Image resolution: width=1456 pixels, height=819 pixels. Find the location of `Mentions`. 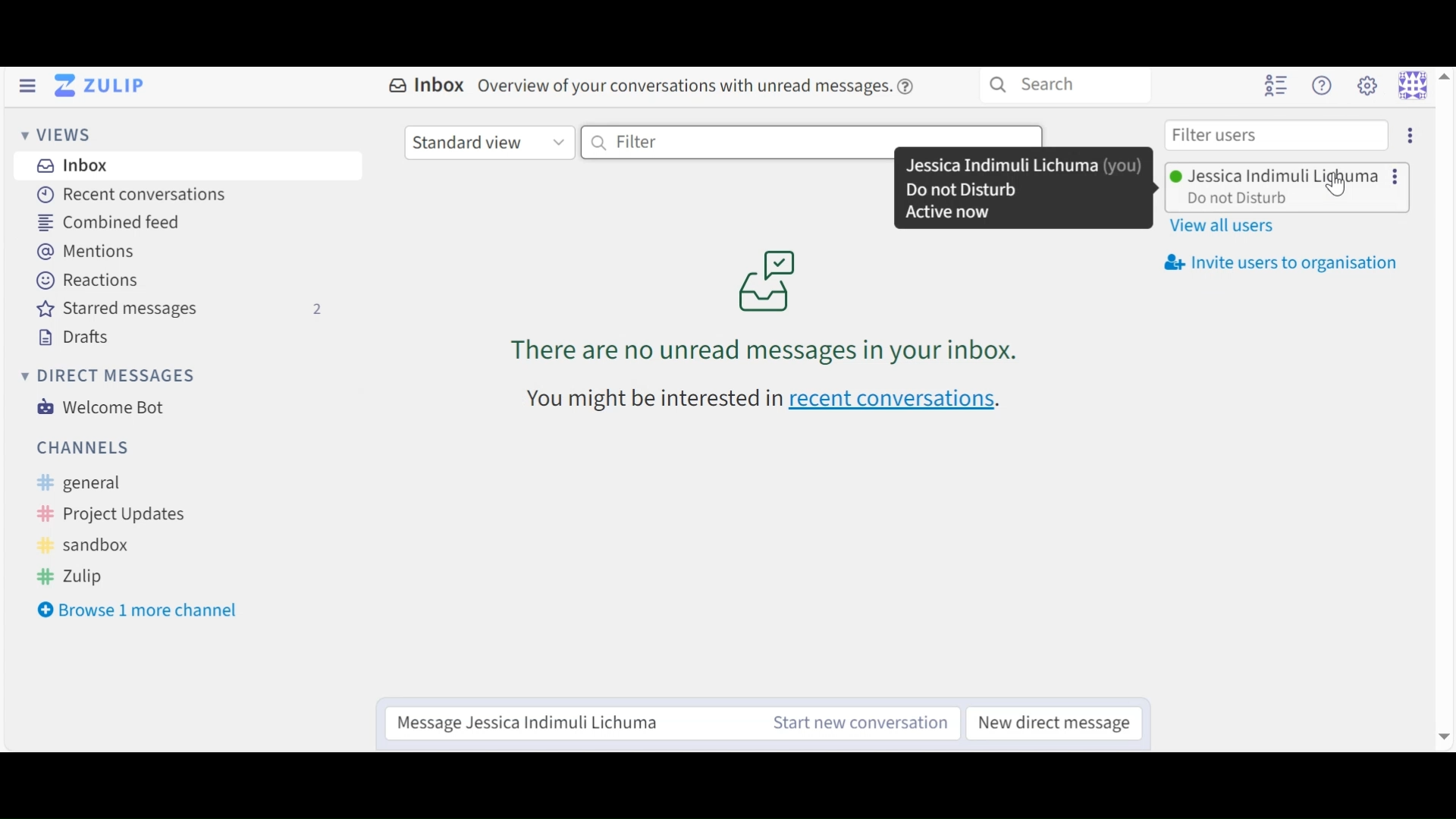

Mentions is located at coordinates (86, 253).